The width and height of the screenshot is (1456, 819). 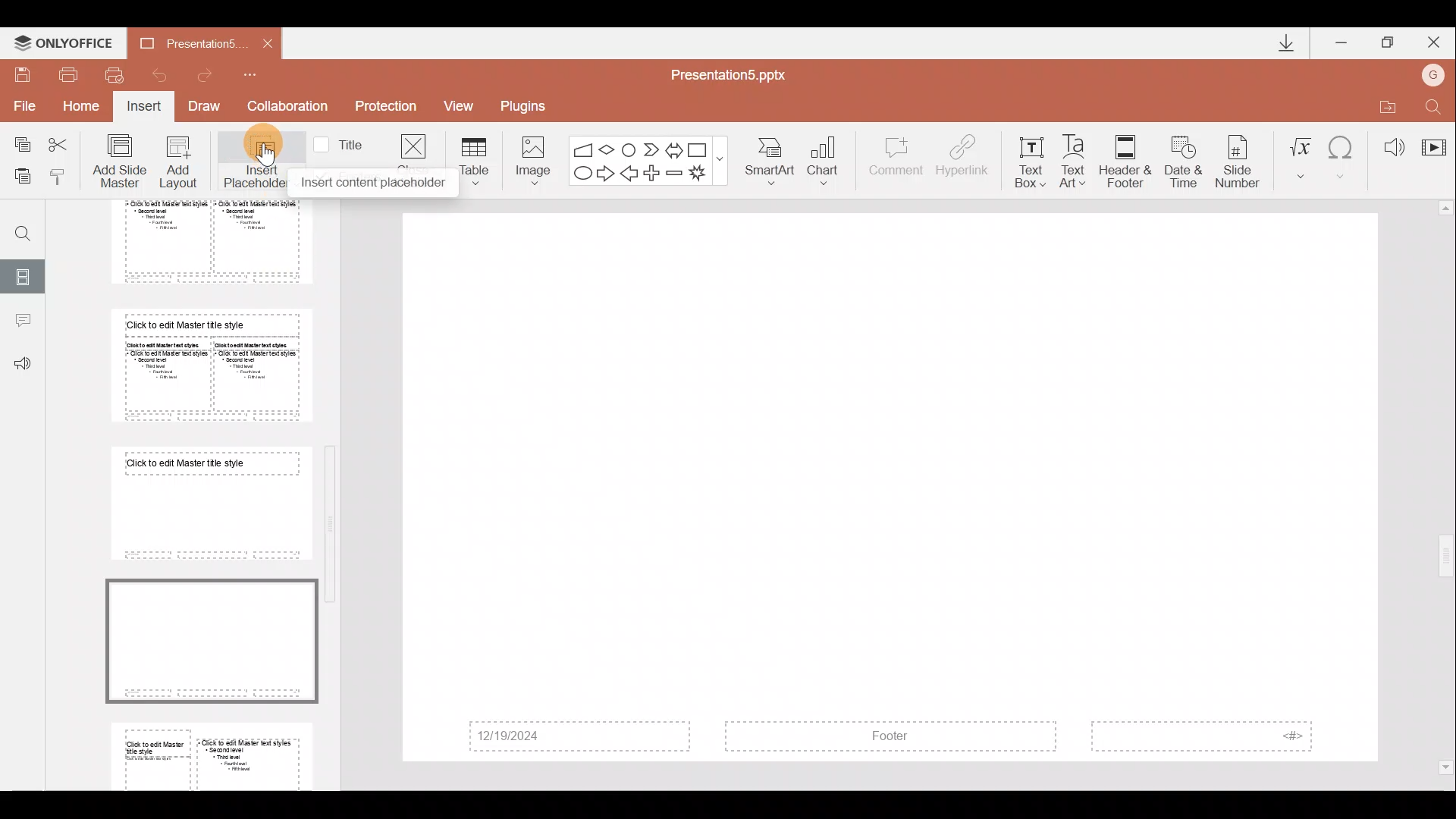 I want to click on Insert placeholder, so click(x=251, y=159).